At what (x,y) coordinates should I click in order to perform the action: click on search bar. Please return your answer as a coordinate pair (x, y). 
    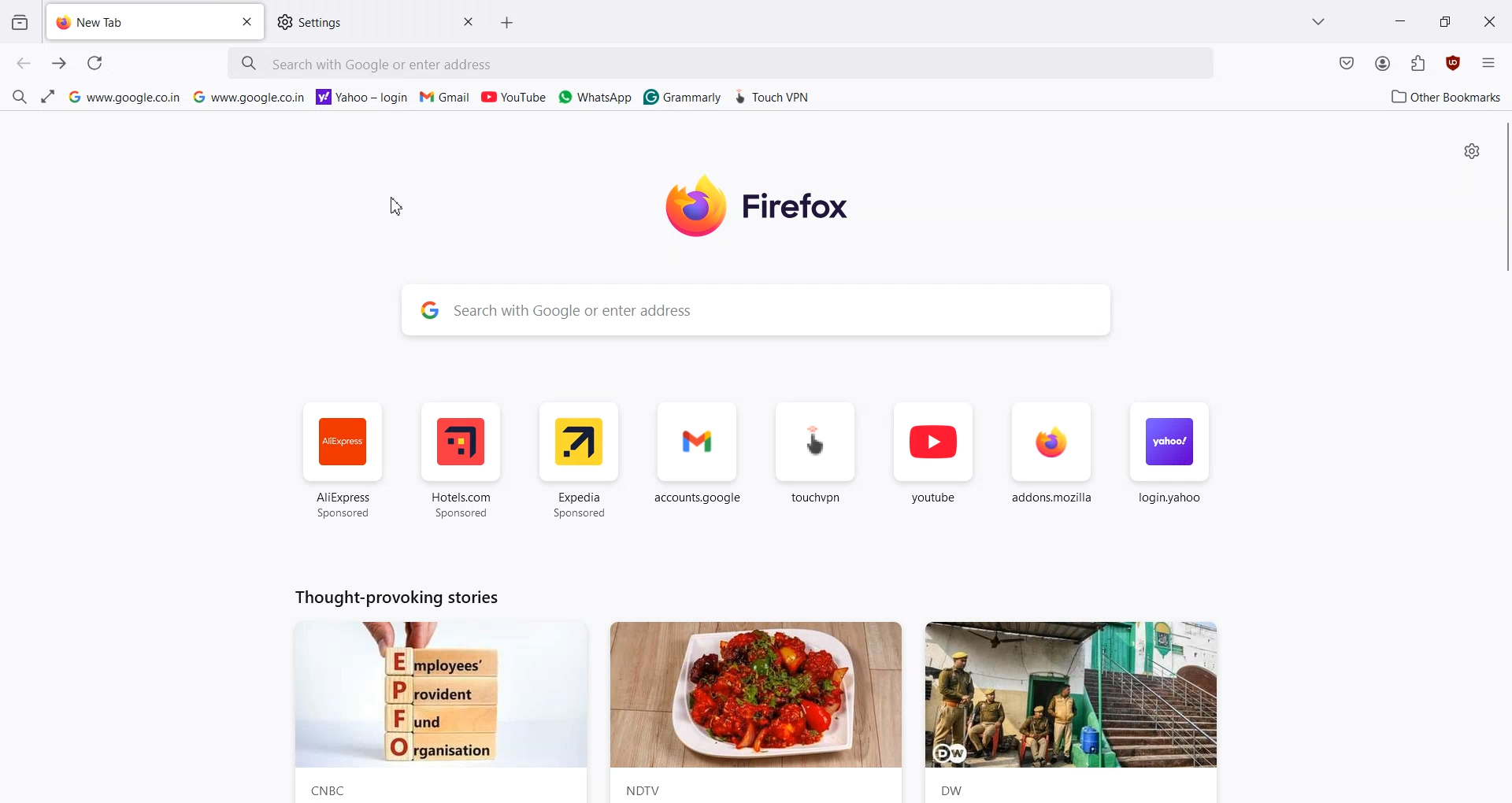
    Looking at the image, I should click on (719, 63).